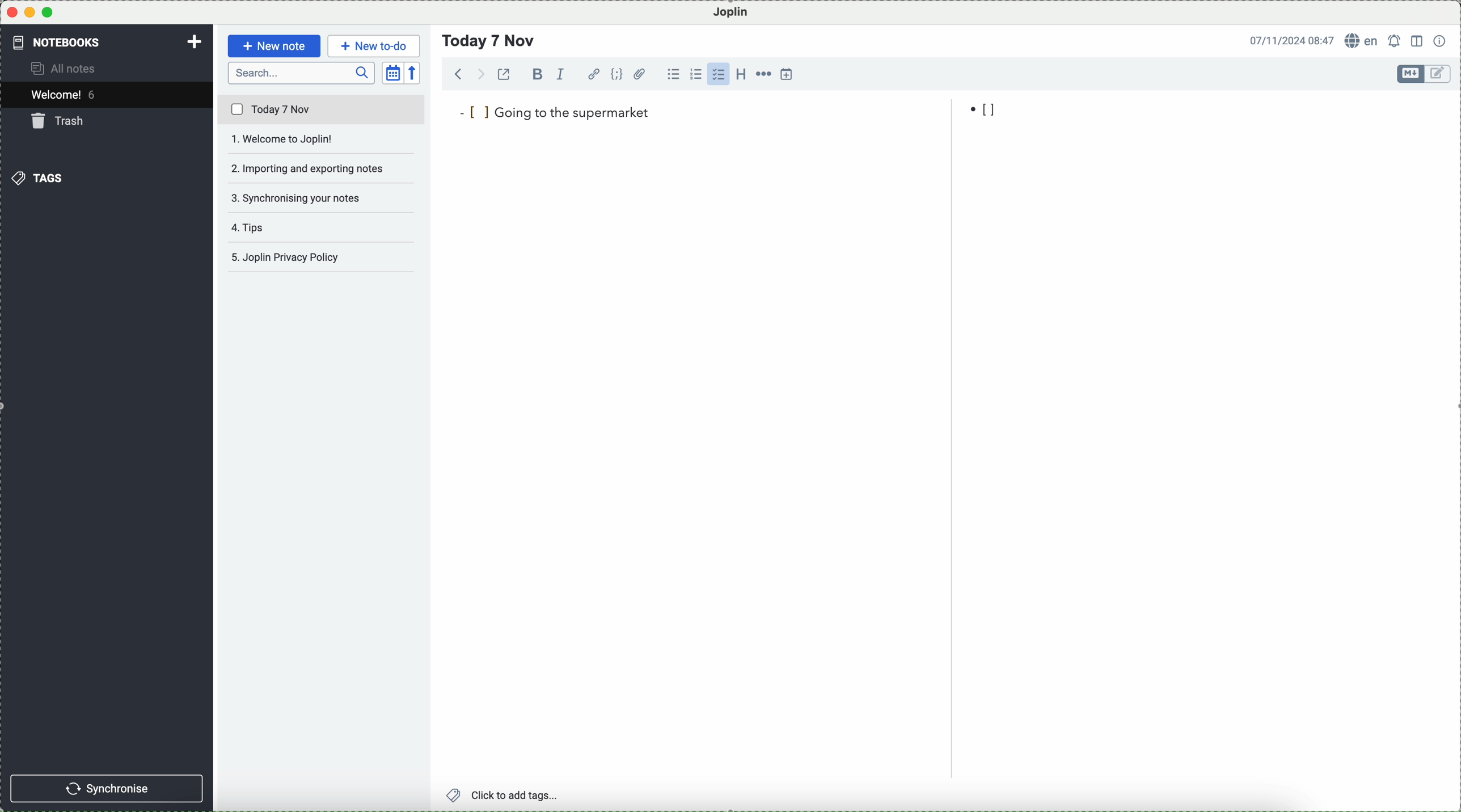  I want to click on horizontal rule, so click(763, 74).